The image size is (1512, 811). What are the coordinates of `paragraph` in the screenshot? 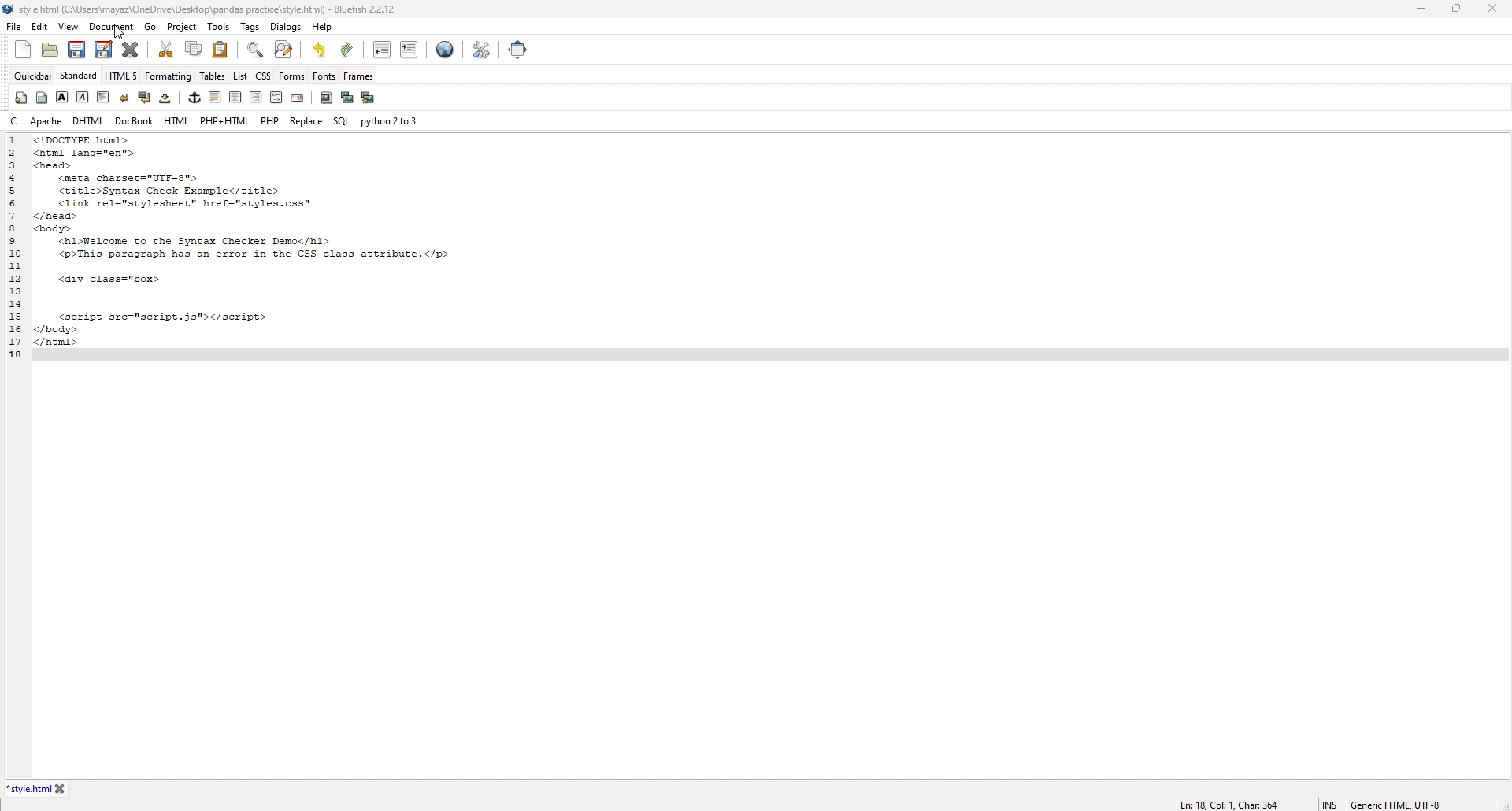 It's located at (104, 98).